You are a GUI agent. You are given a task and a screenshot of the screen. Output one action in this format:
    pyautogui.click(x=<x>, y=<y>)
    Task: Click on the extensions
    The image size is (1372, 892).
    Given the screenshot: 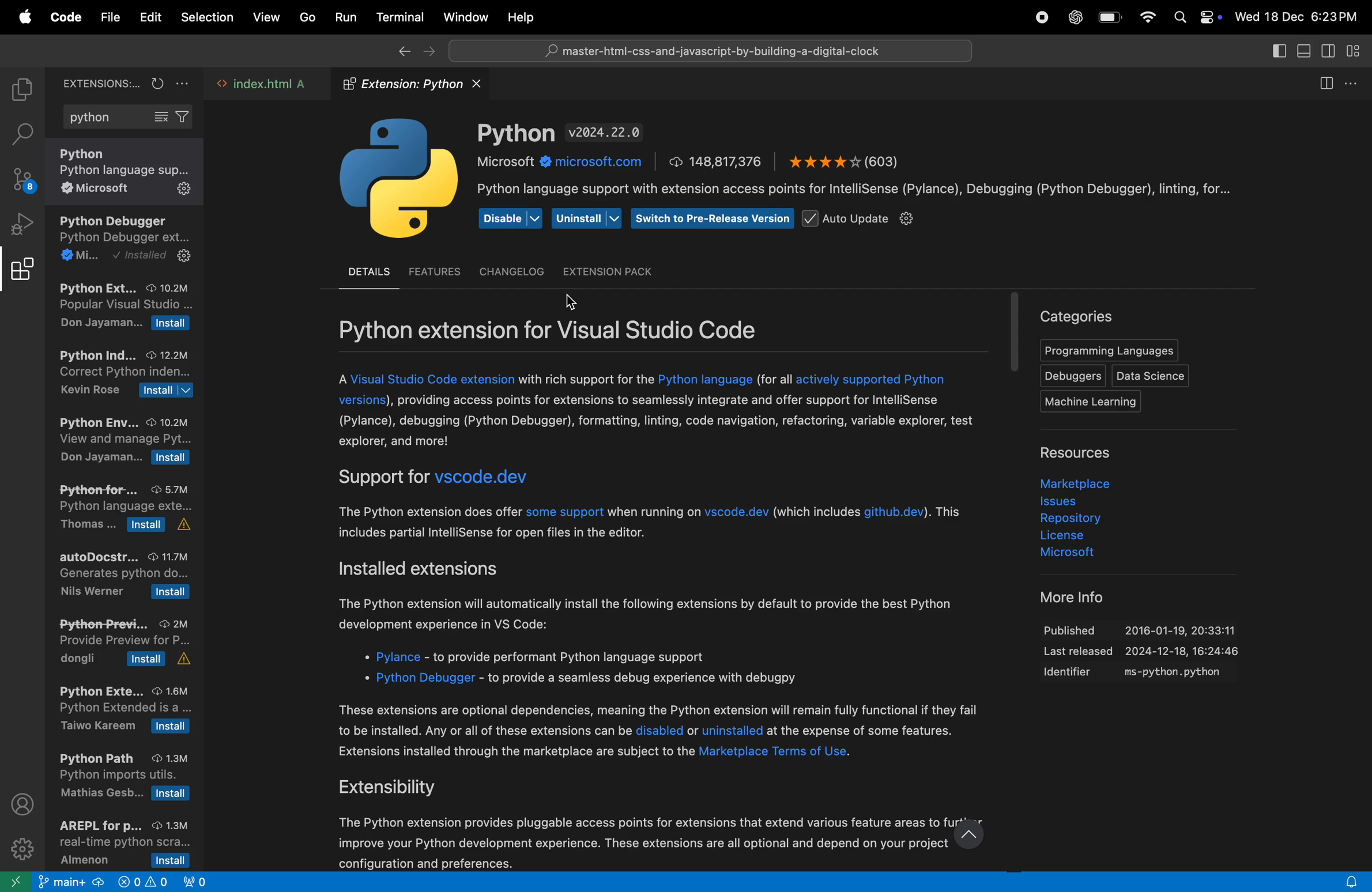 What is the action you would take?
    pyautogui.click(x=22, y=274)
    